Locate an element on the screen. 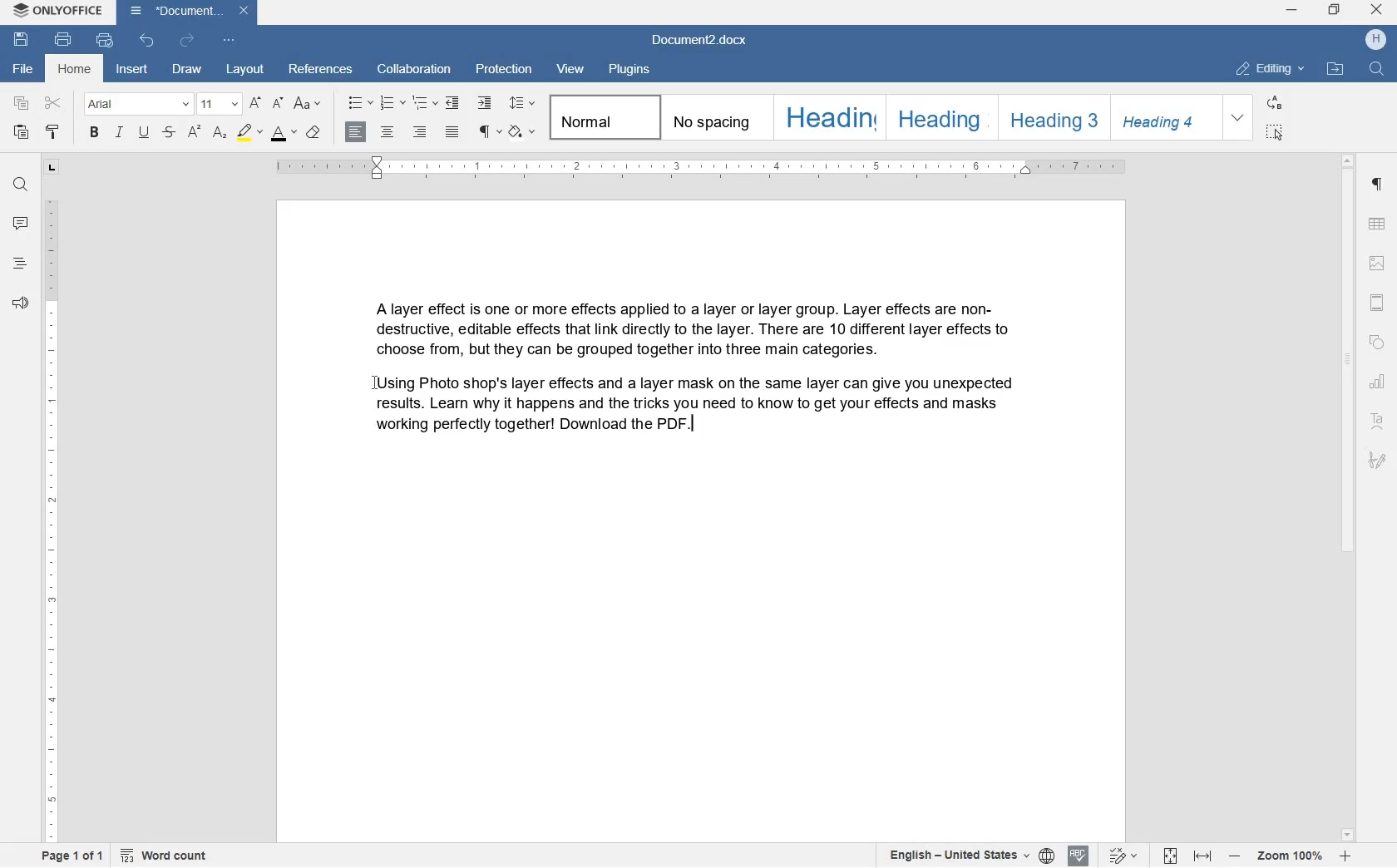 The height and width of the screenshot is (868, 1397). NO SPACING is located at coordinates (711, 119).